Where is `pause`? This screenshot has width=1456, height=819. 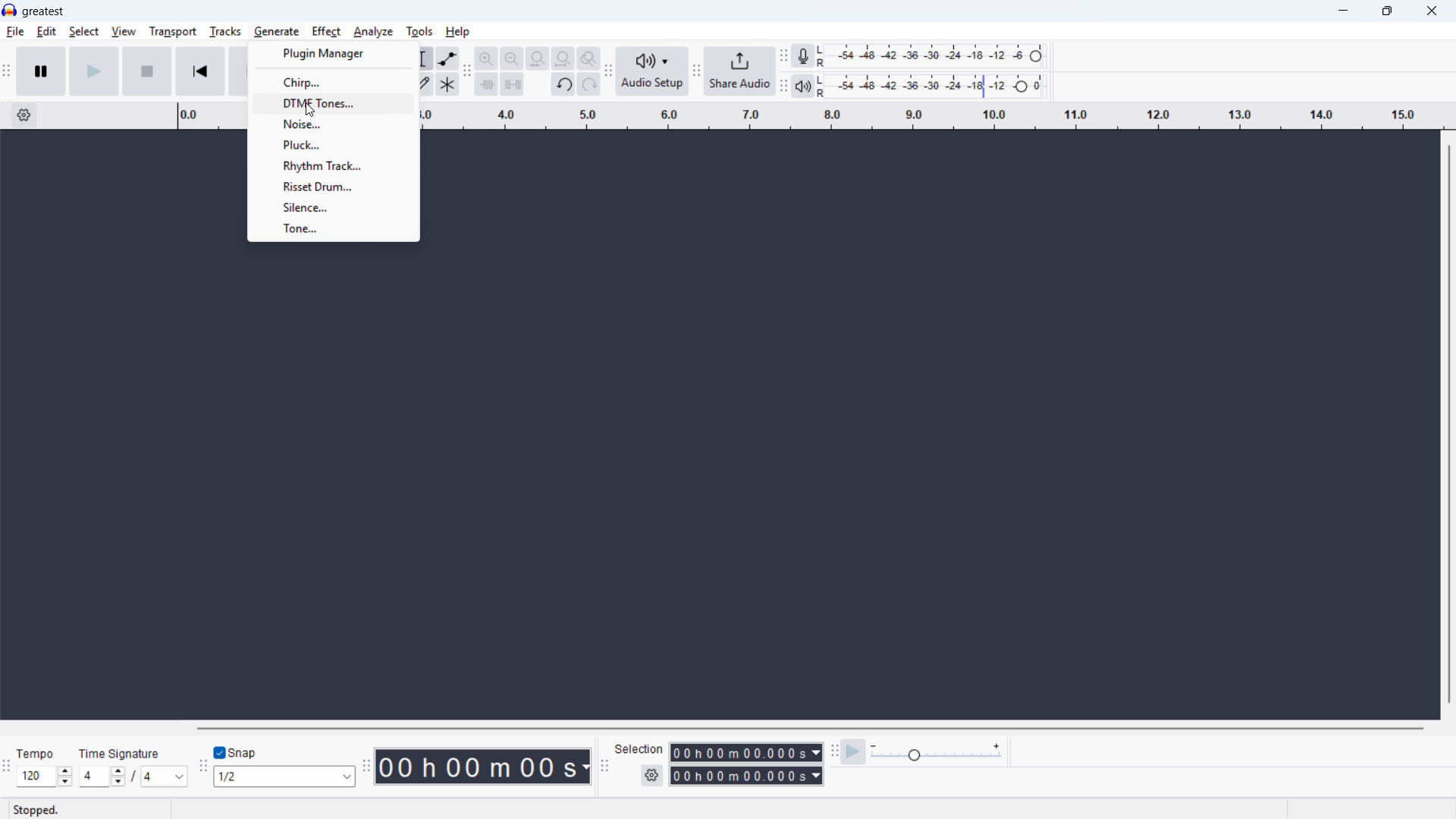
pause is located at coordinates (41, 71).